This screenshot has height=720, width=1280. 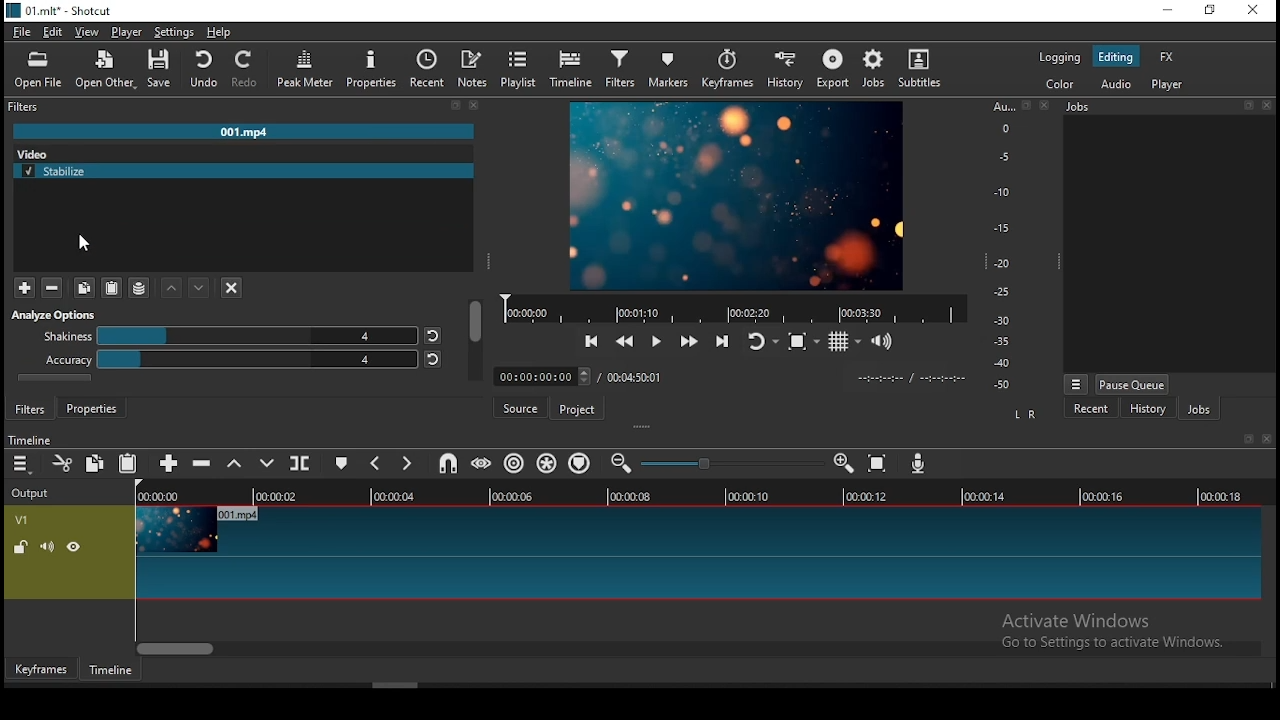 I want to click on recent, so click(x=430, y=70).